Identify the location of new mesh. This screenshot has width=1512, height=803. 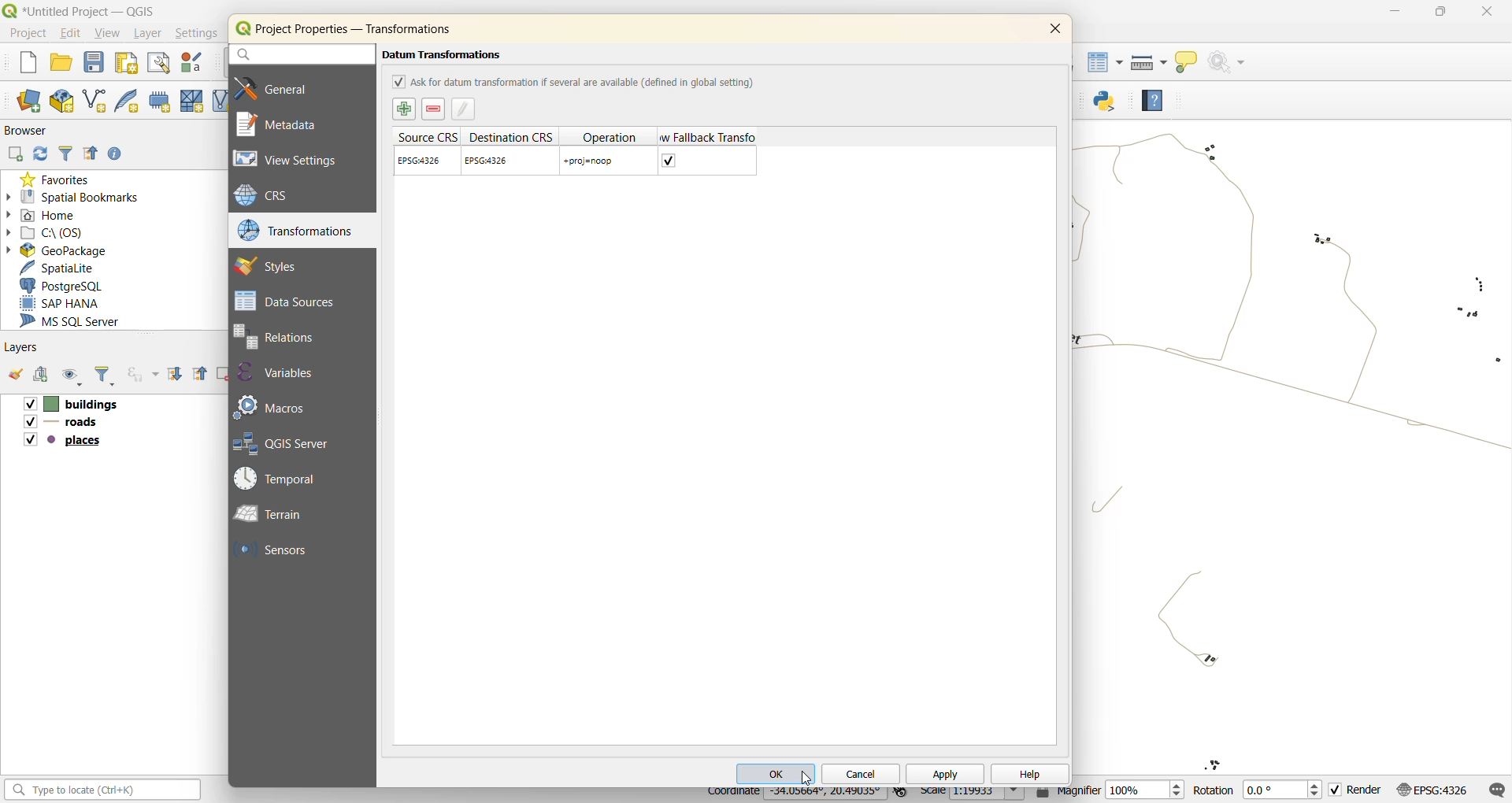
(190, 100).